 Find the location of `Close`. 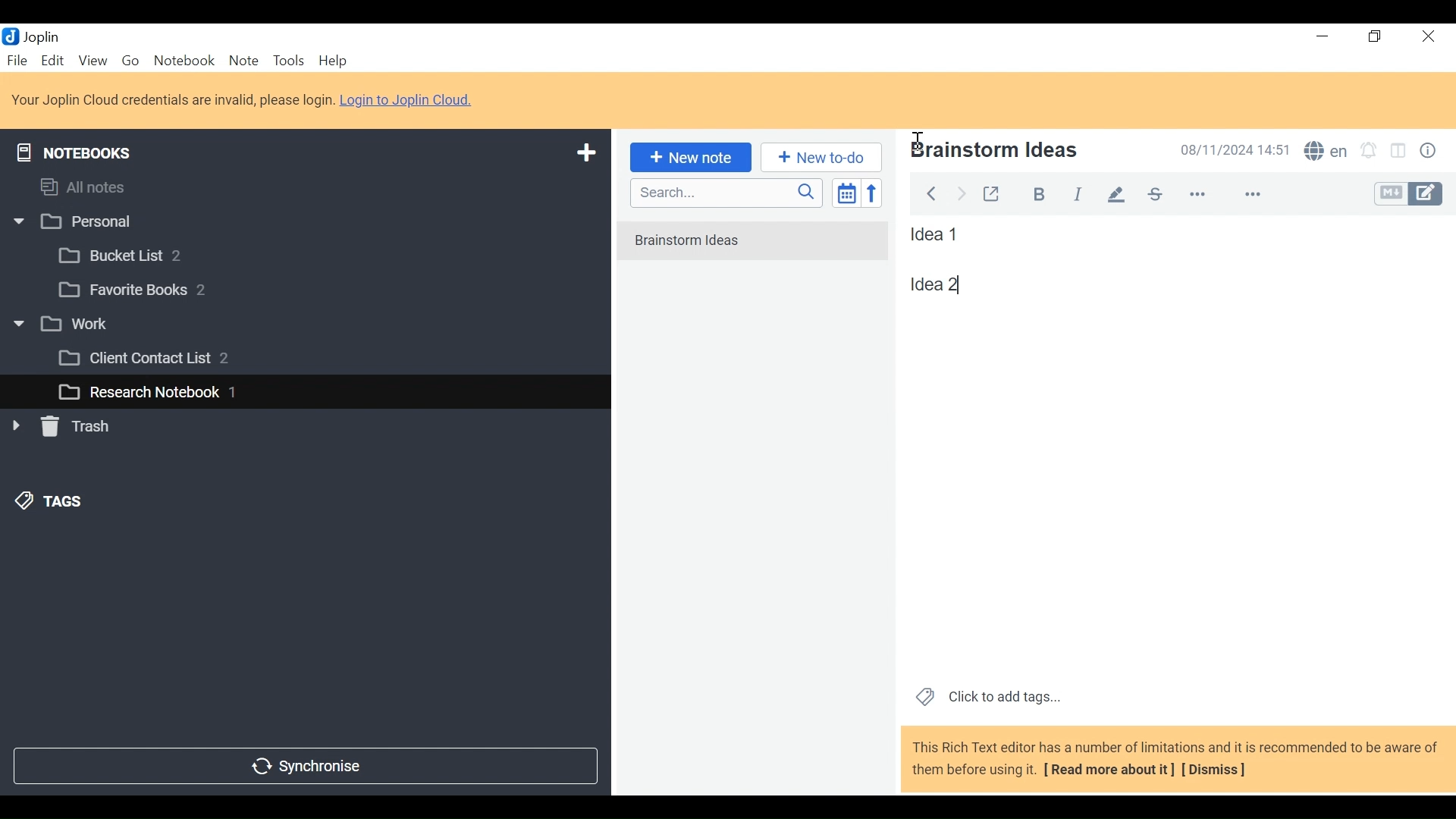

Close is located at coordinates (1426, 37).